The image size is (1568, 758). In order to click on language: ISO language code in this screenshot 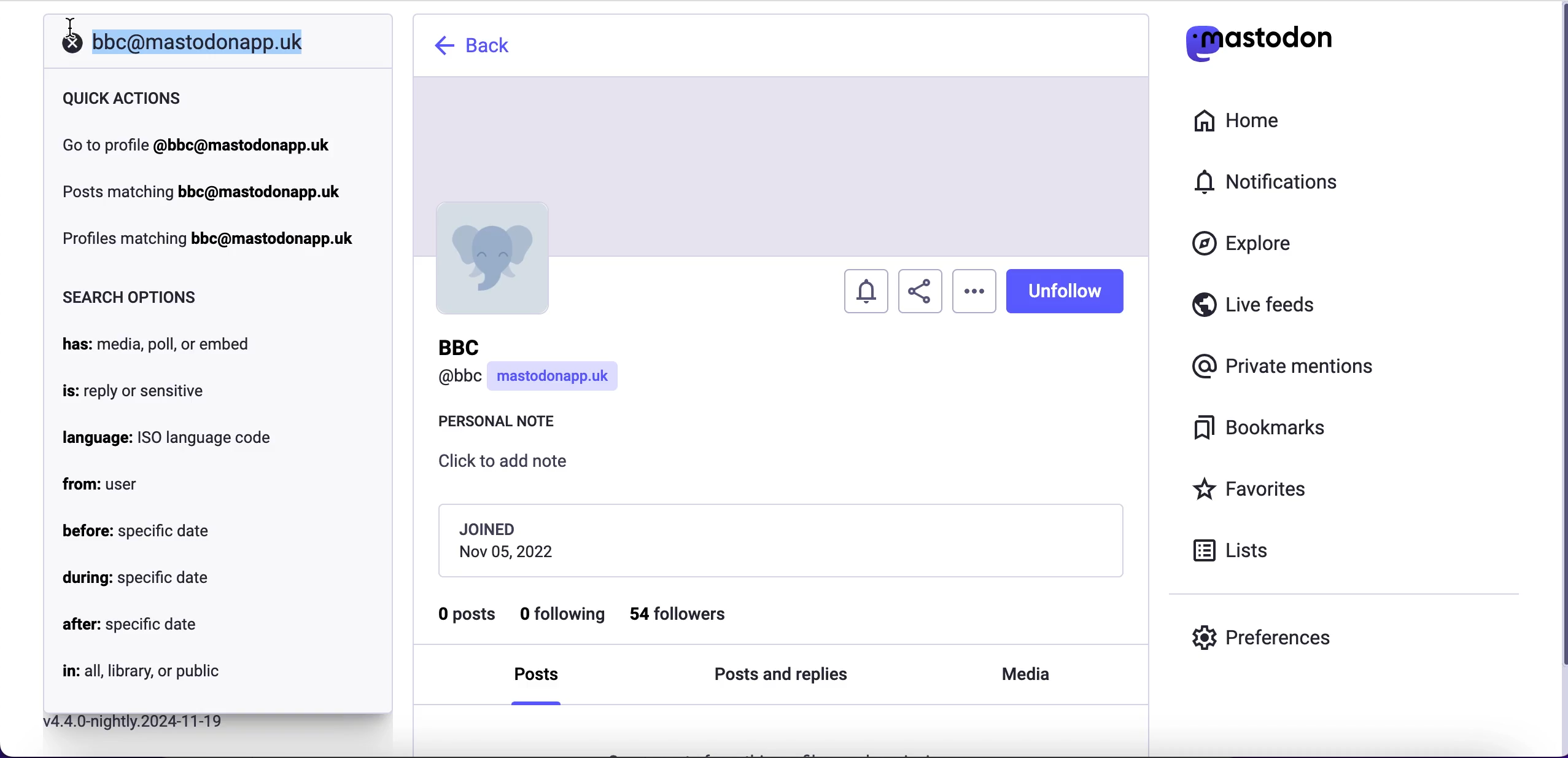, I will do `click(167, 437)`.